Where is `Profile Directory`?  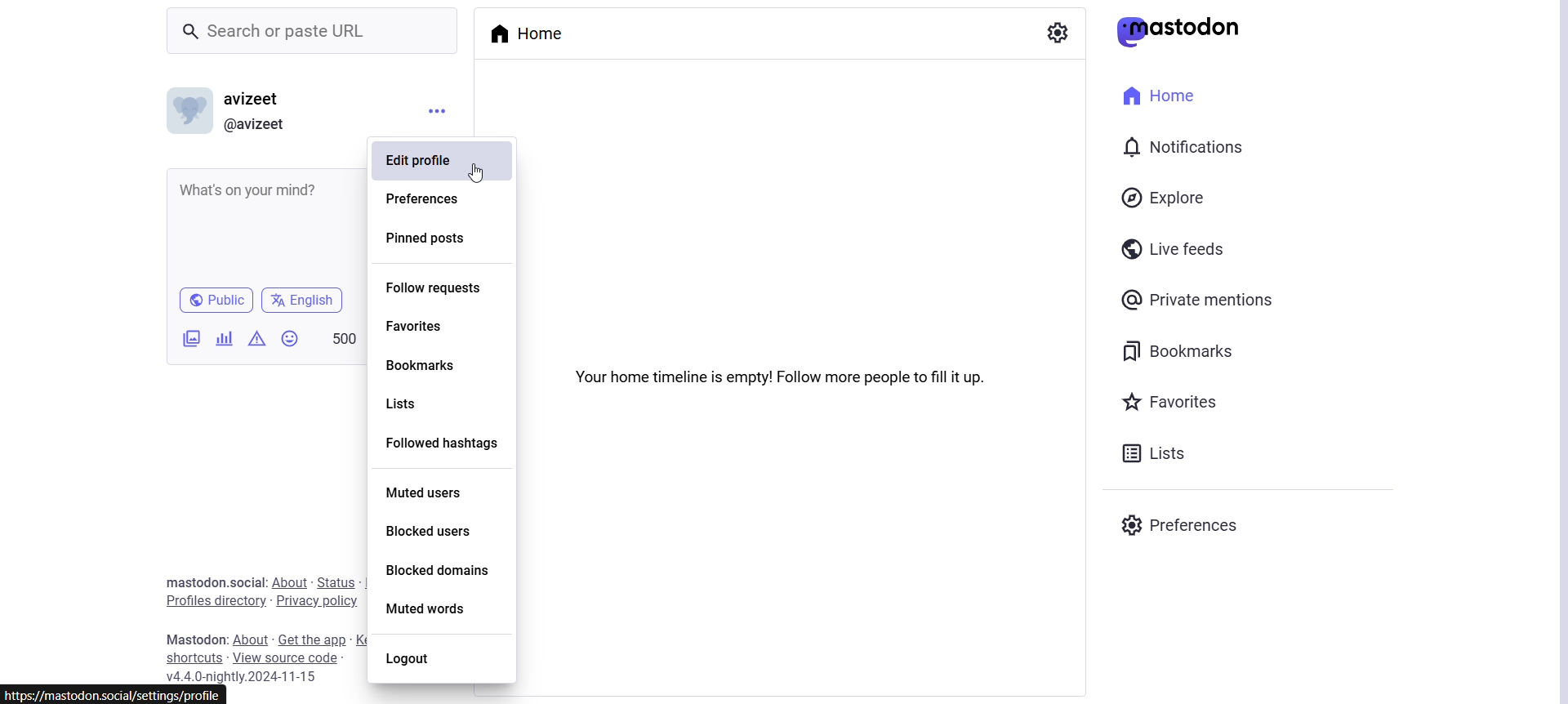 Profile Directory is located at coordinates (213, 601).